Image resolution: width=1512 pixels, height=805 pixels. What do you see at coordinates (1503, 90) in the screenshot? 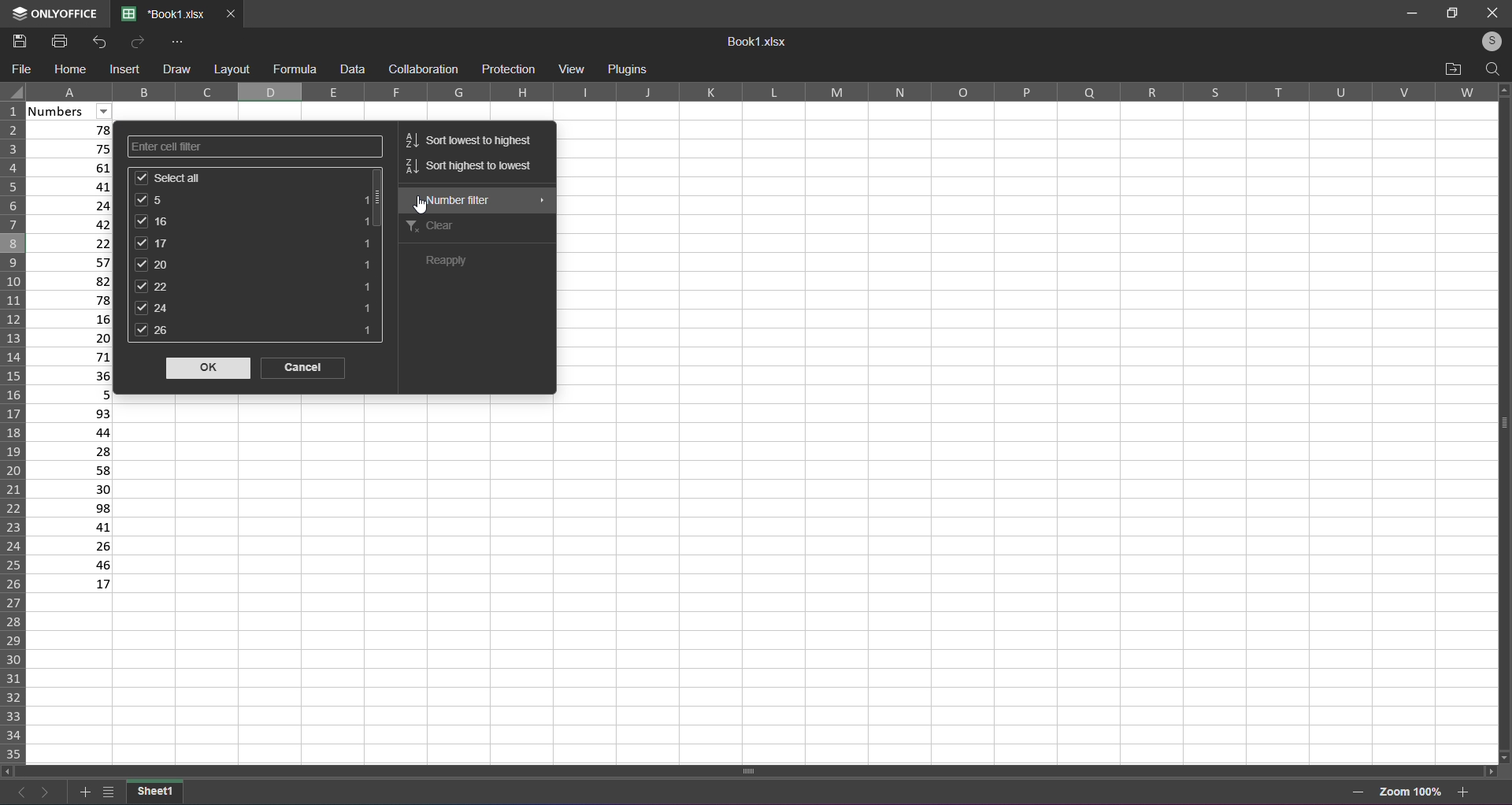
I see `Move up` at bounding box center [1503, 90].